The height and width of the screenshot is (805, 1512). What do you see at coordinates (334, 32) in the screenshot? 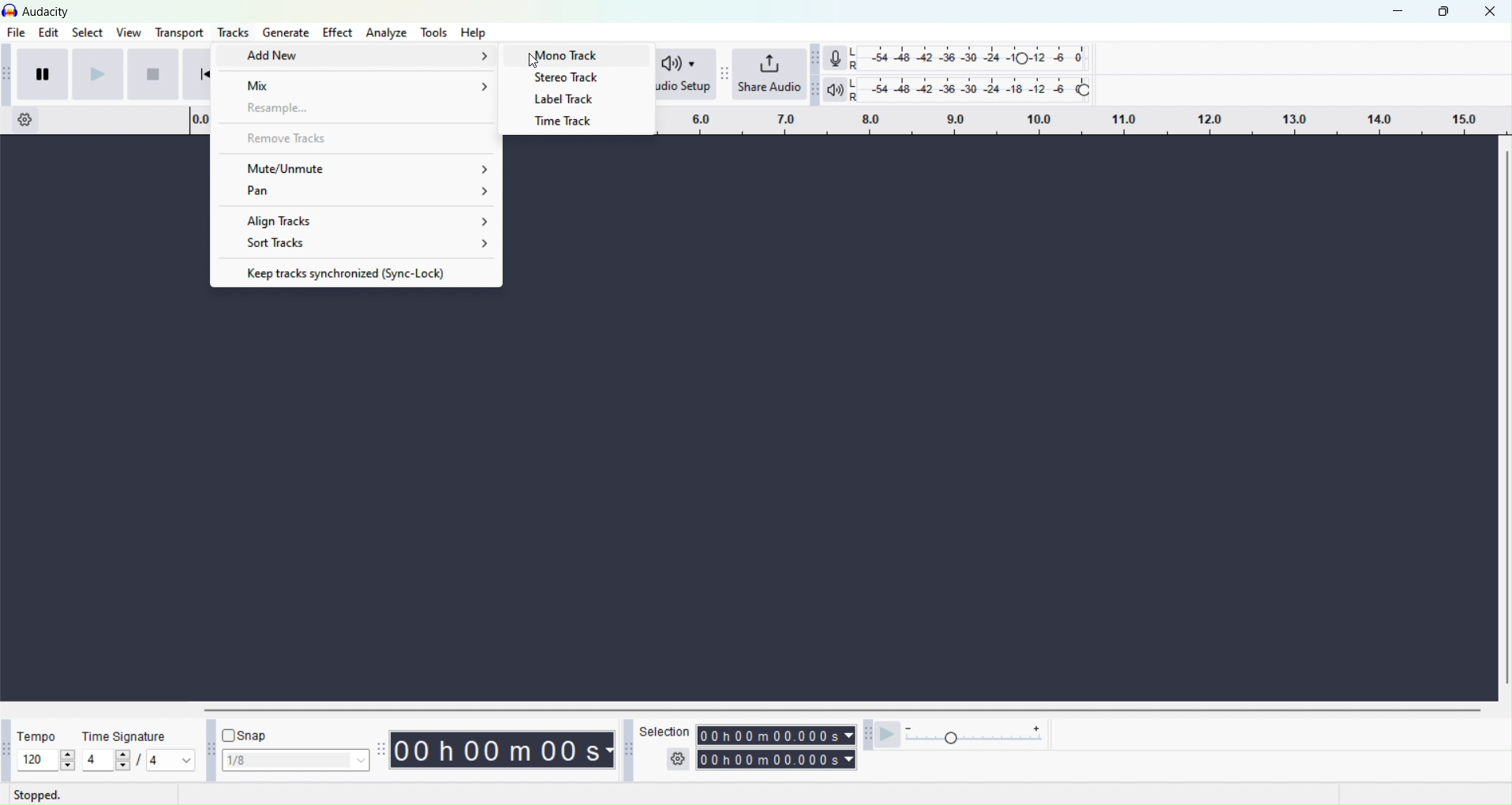
I see `Effect` at bounding box center [334, 32].